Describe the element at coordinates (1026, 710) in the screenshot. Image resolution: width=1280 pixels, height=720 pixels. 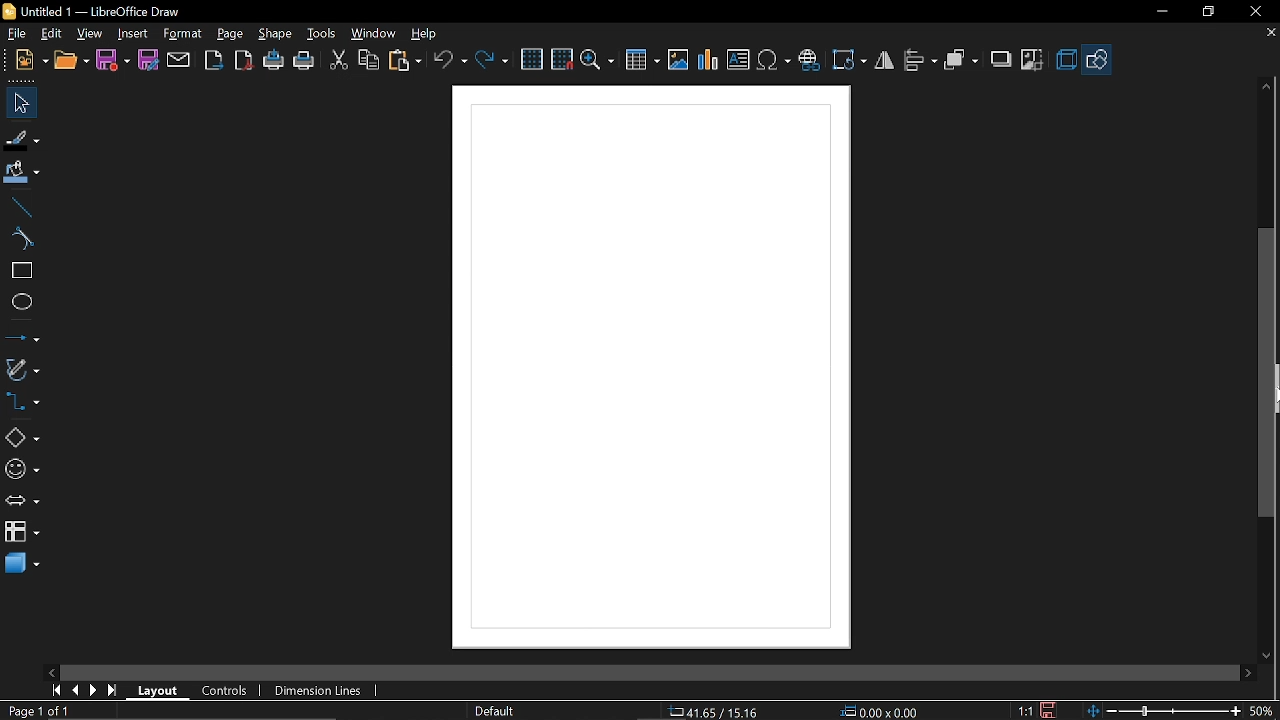
I see `scaling factor (1:1)` at that location.